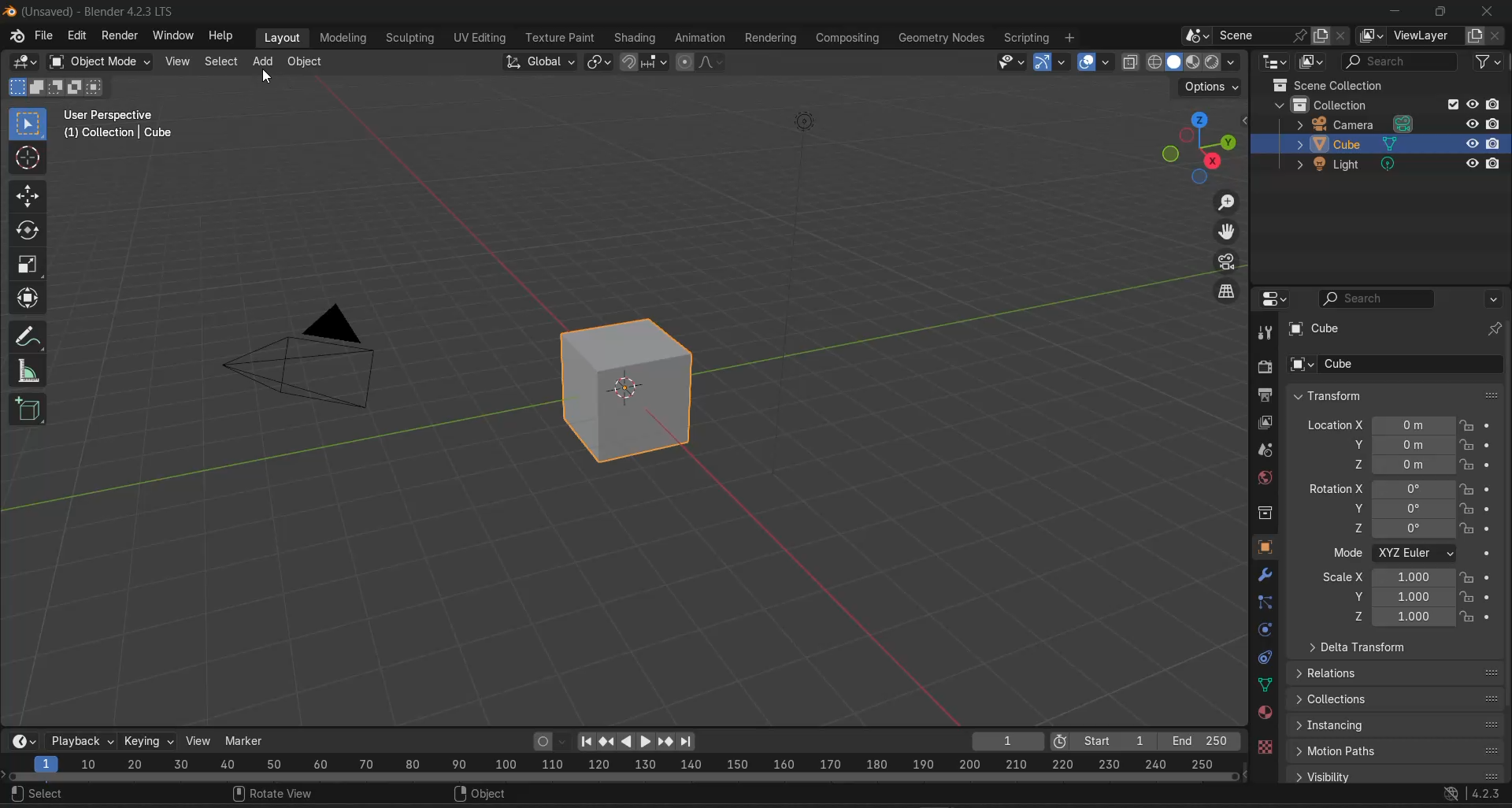  What do you see at coordinates (1467, 597) in the screenshot?
I see `lock scale` at bounding box center [1467, 597].